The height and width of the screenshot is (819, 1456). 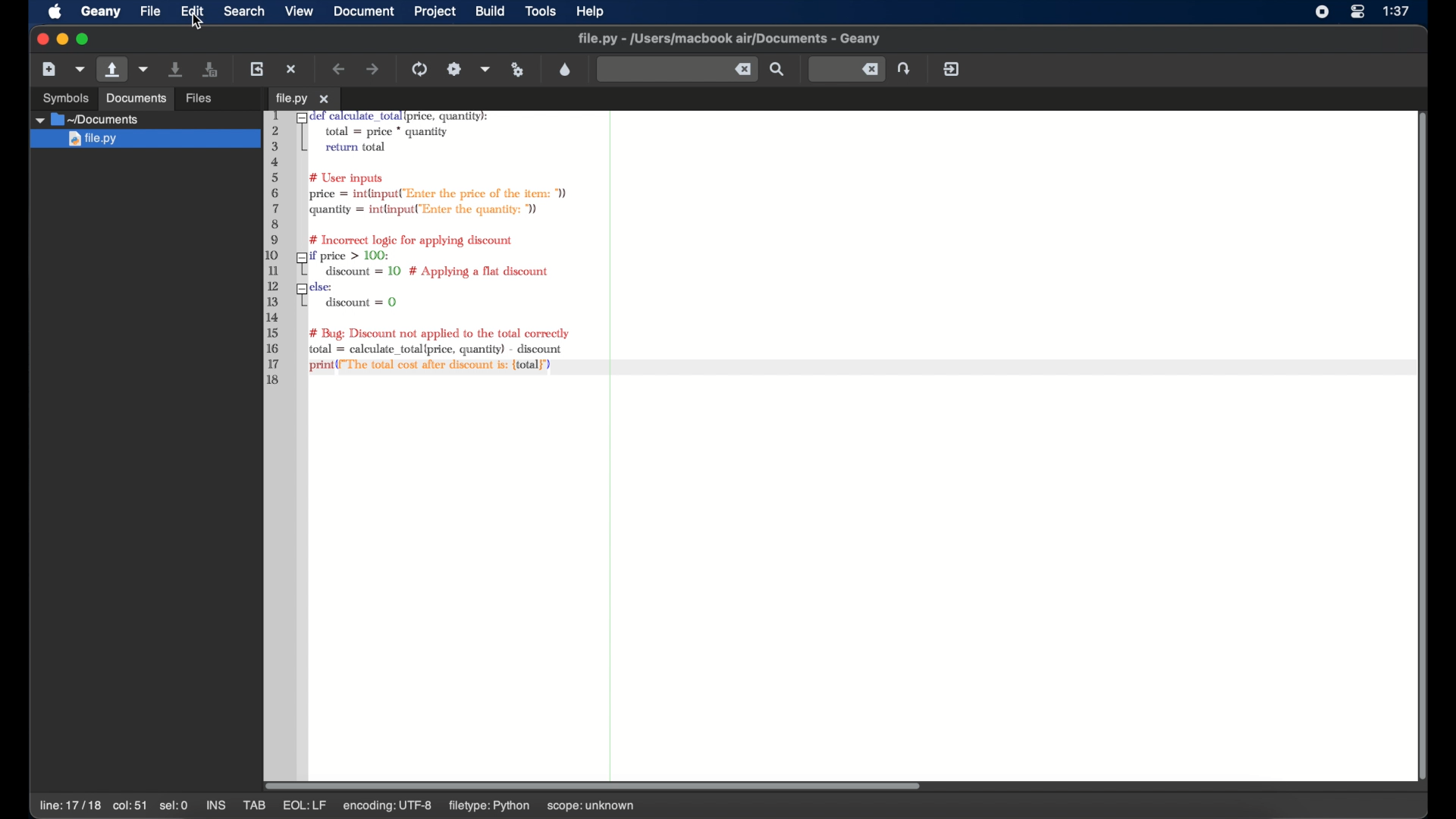 What do you see at coordinates (601, 784) in the screenshot?
I see `scroll bar` at bounding box center [601, 784].